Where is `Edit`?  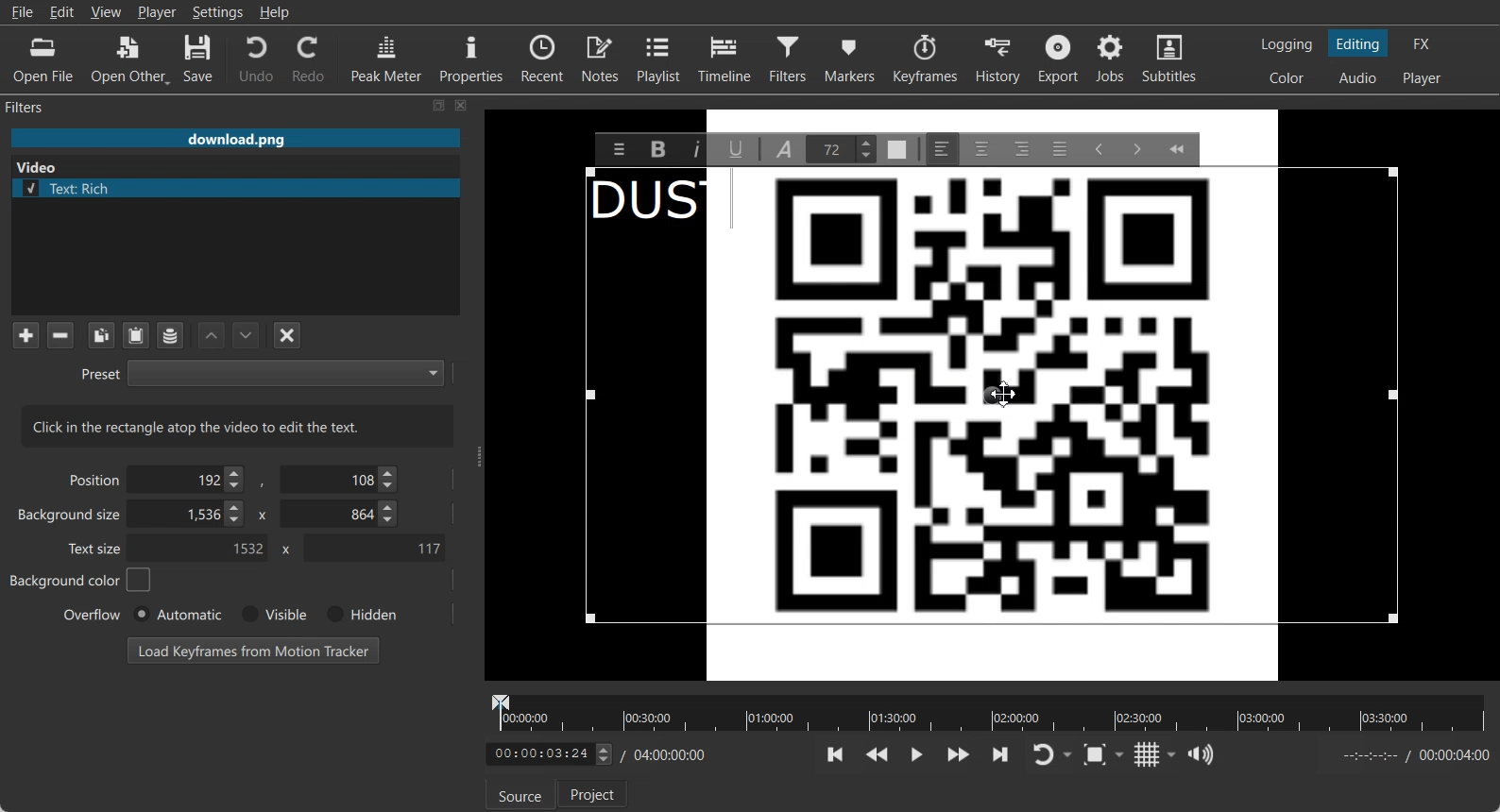
Edit is located at coordinates (62, 11).